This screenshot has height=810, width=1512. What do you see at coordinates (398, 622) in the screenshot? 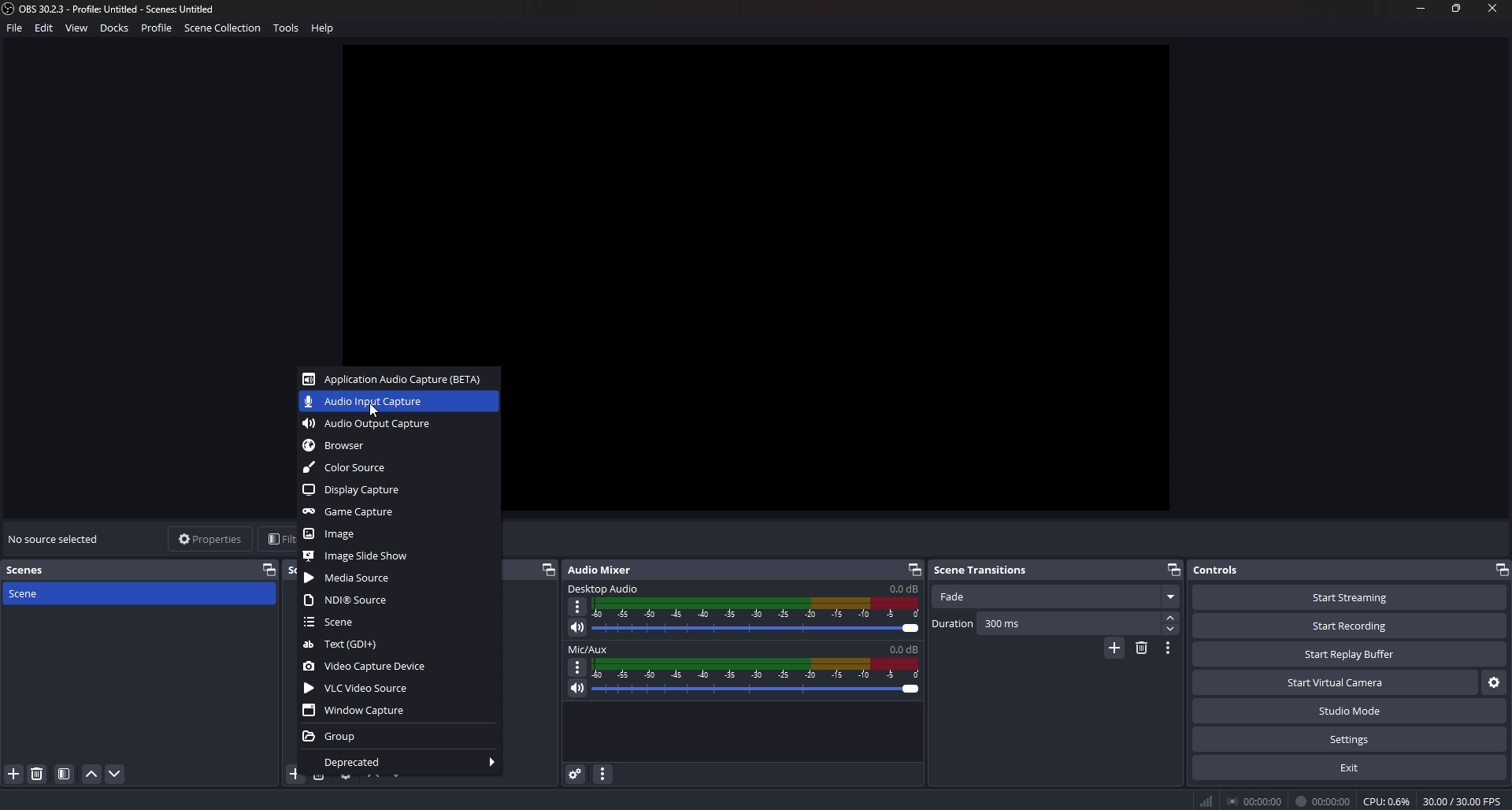
I see `scene` at bounding box center [398, 622].